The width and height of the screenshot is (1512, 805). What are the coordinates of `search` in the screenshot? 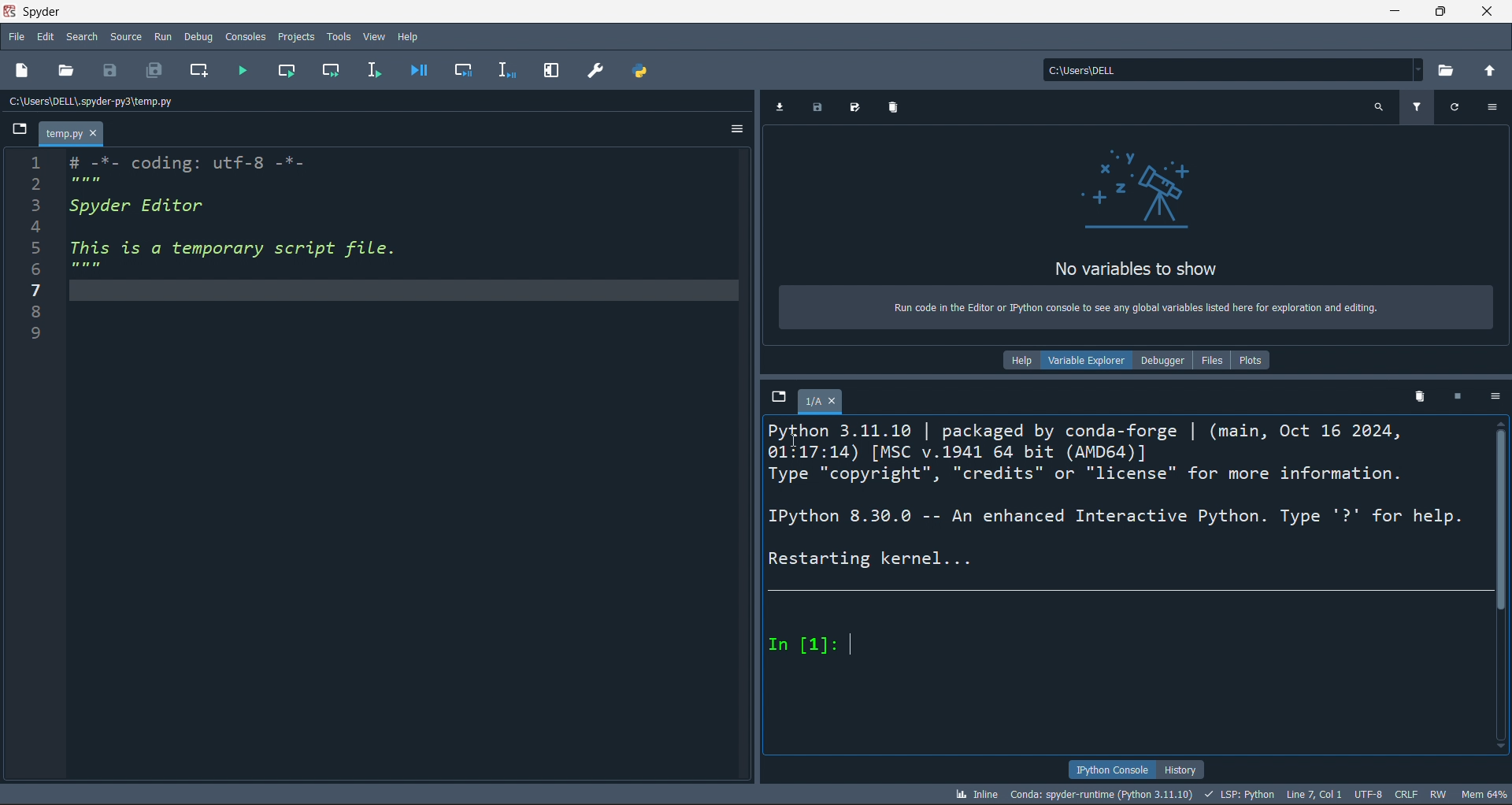 It's located at (82, 37).